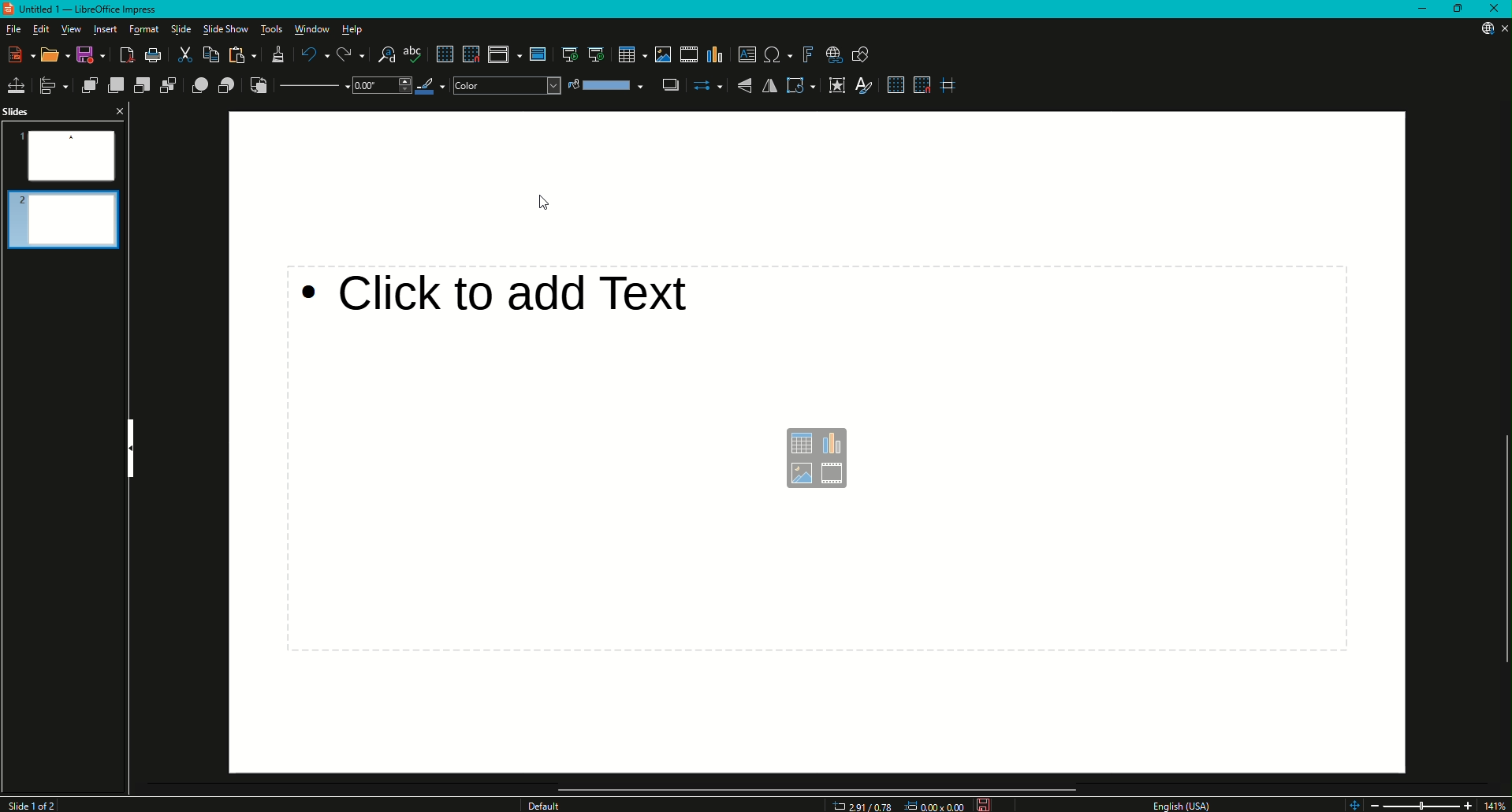  What do you see at coordinates (277, 55) in the screenshot?
I see `Clone Formatting` at bounding box center [277, 55].